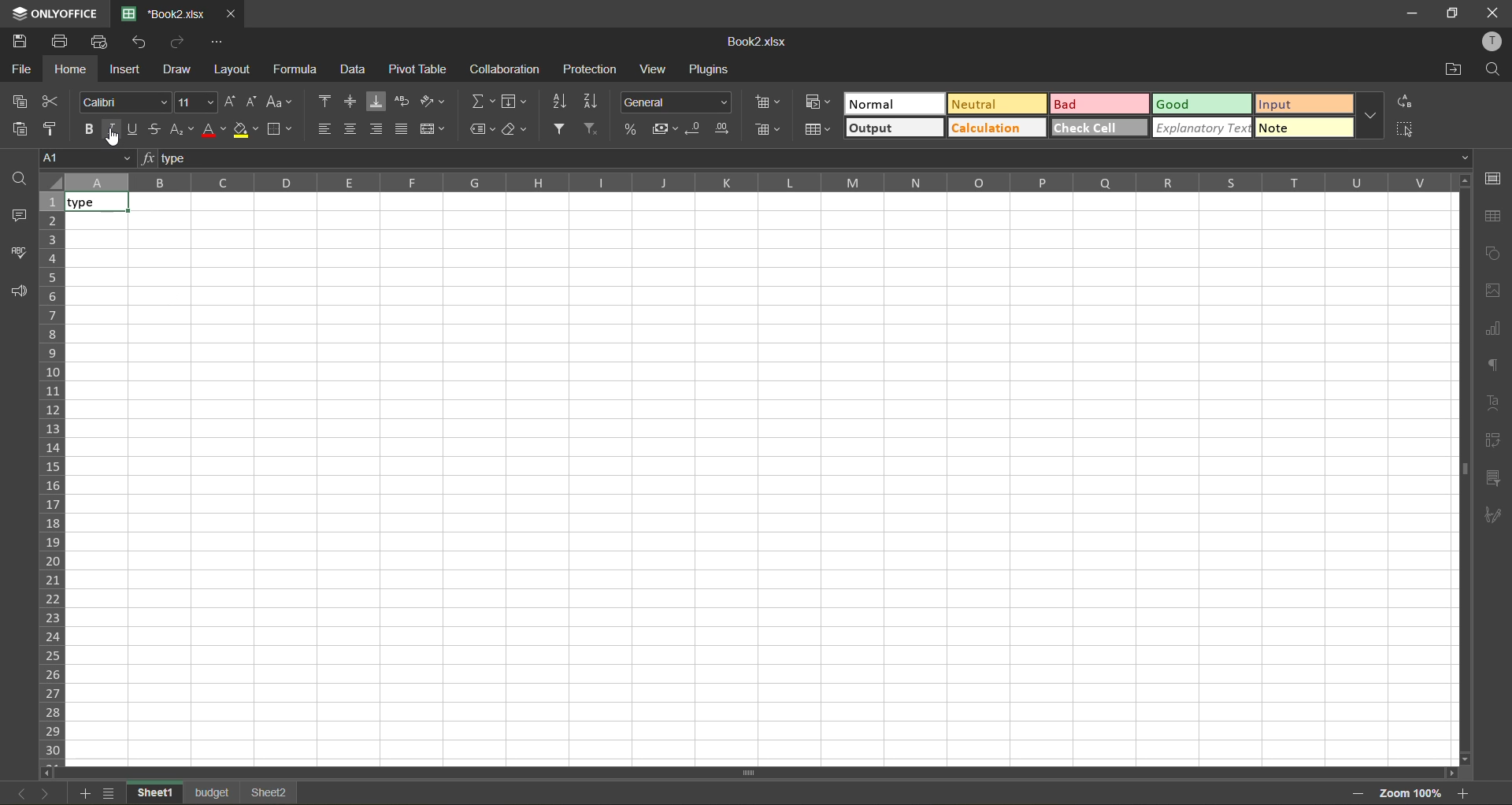 This screenshot has width=1512, height=805. What do you see at coordinates (245, 129) in the screenshot?
I see `fill color` at bounding box center [245, 129].